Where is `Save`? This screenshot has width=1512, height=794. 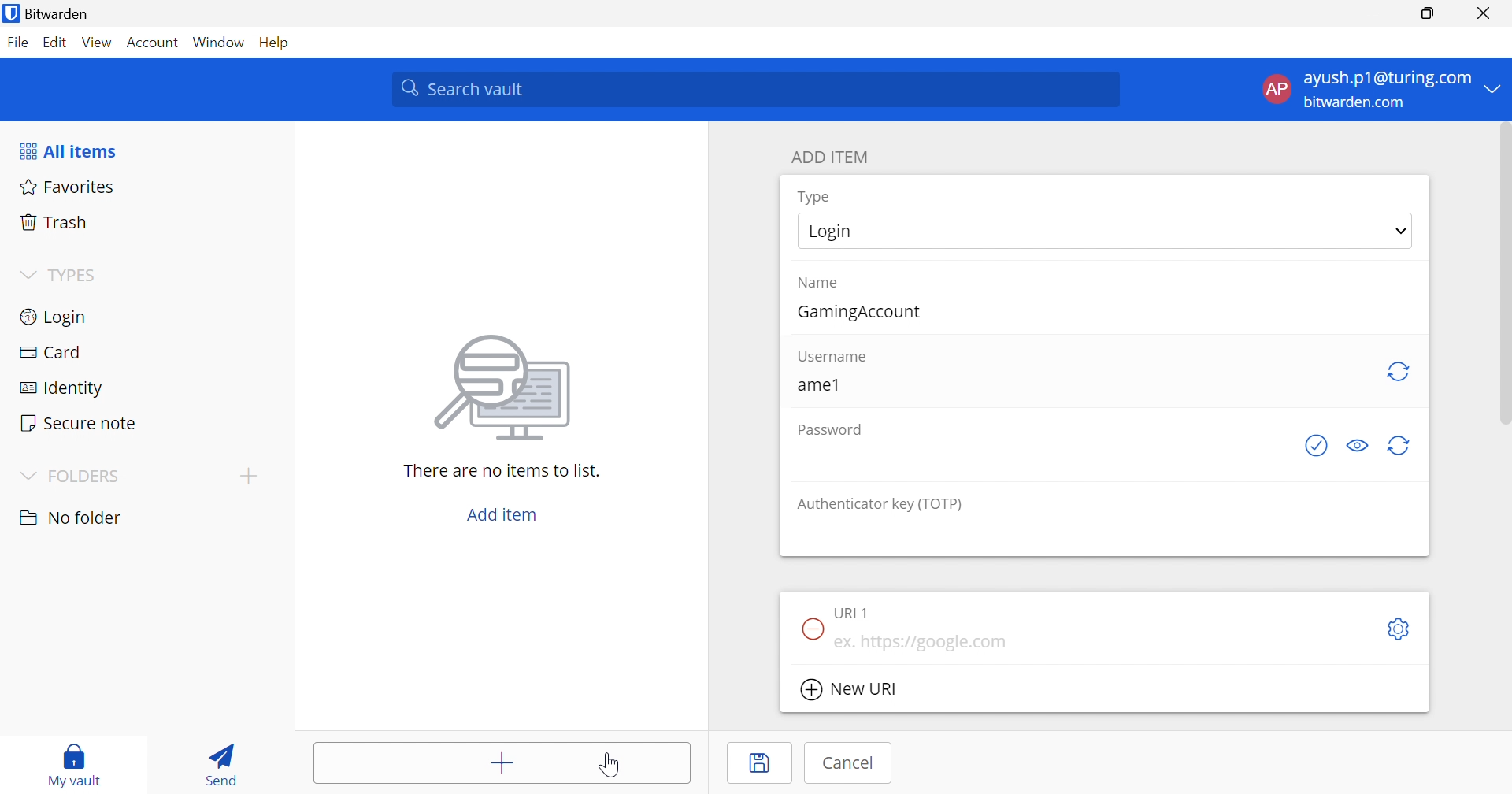
Save is located at coordinates (762, 763).